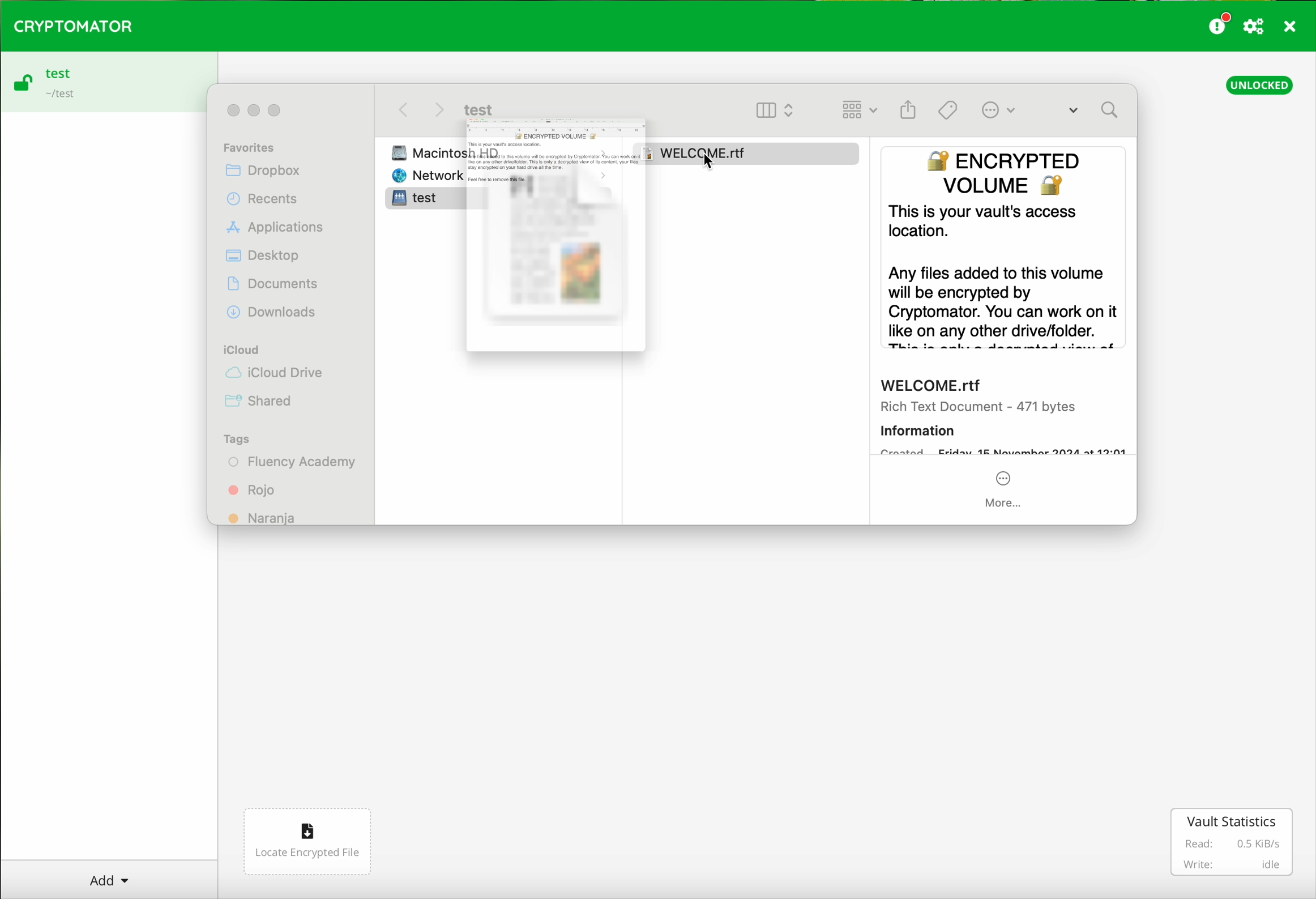 The height and width of the screenshot is (899, 1316). I want to click on Dropbox, so click(265, 172).